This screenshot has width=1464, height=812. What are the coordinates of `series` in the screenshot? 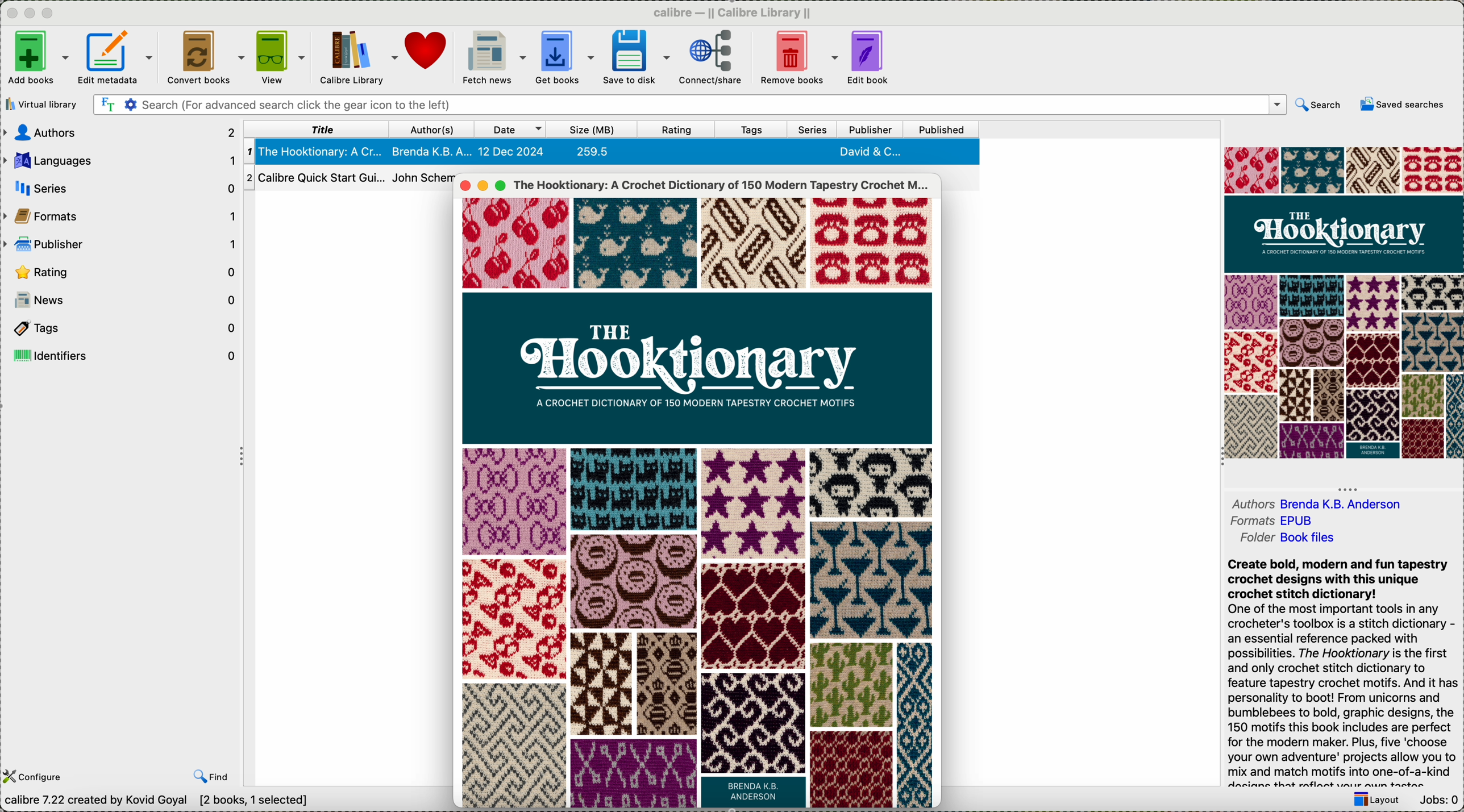 It's located at (813, 130).